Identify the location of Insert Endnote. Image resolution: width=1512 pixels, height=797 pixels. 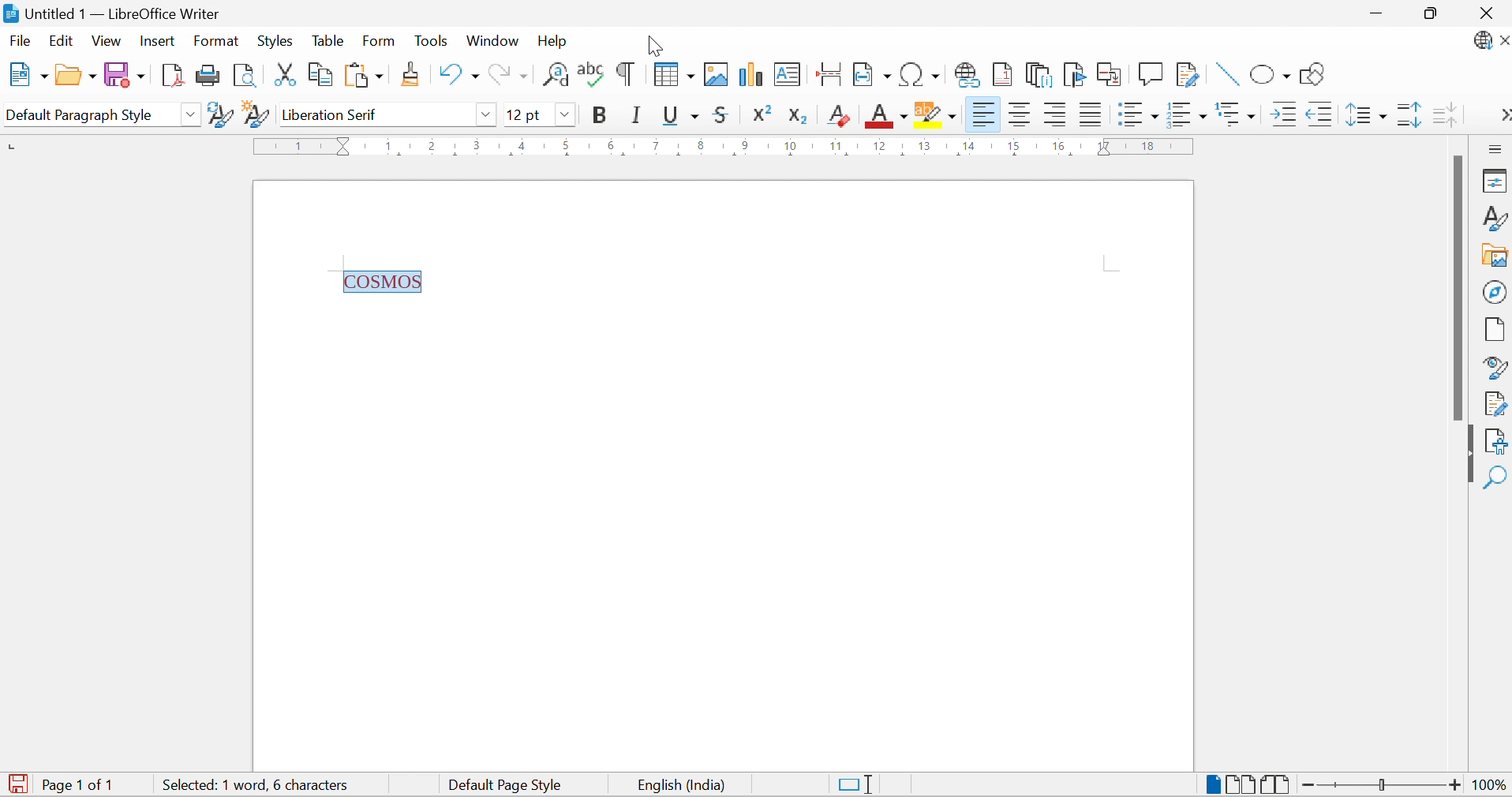
(1039, 74).